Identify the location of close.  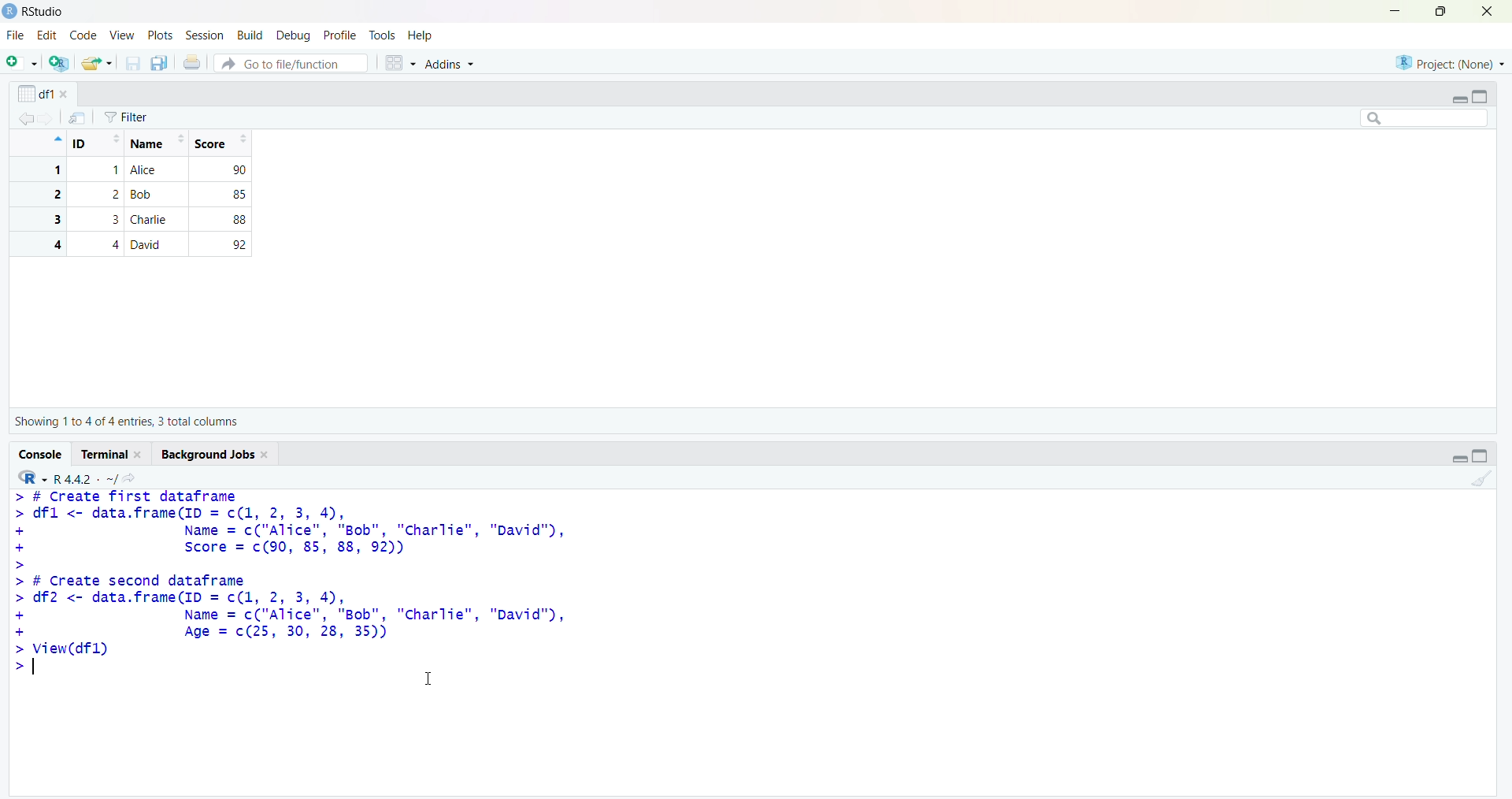
(140, 455).